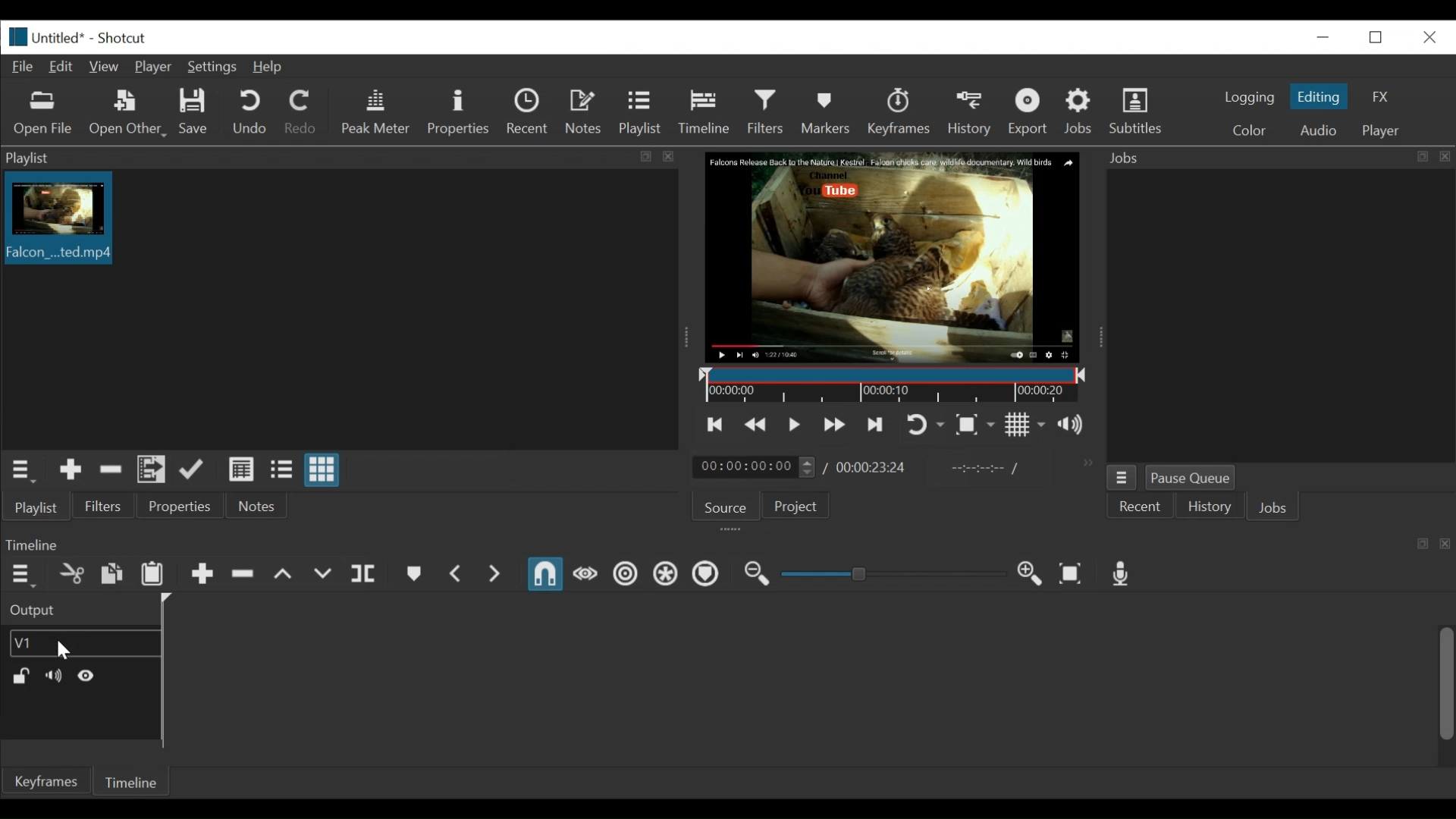 The image size is (1456, 819). What do you see at coordinates (1122, 574) in the screenshot?
I see `Record audio` at bounding box center [1122, 574].